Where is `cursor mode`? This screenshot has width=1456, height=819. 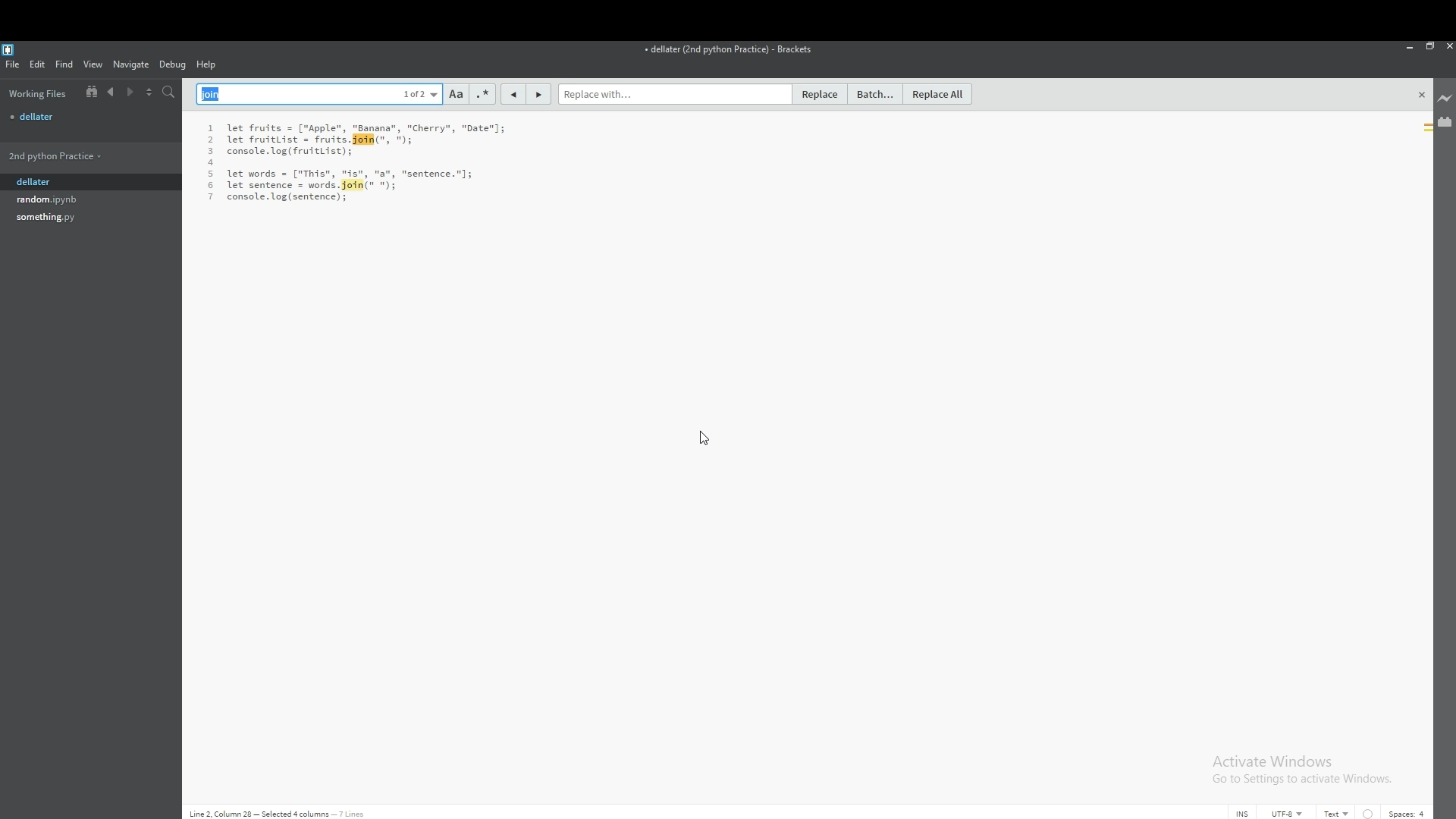
cursor mode is located at coordinates (1242, 813).